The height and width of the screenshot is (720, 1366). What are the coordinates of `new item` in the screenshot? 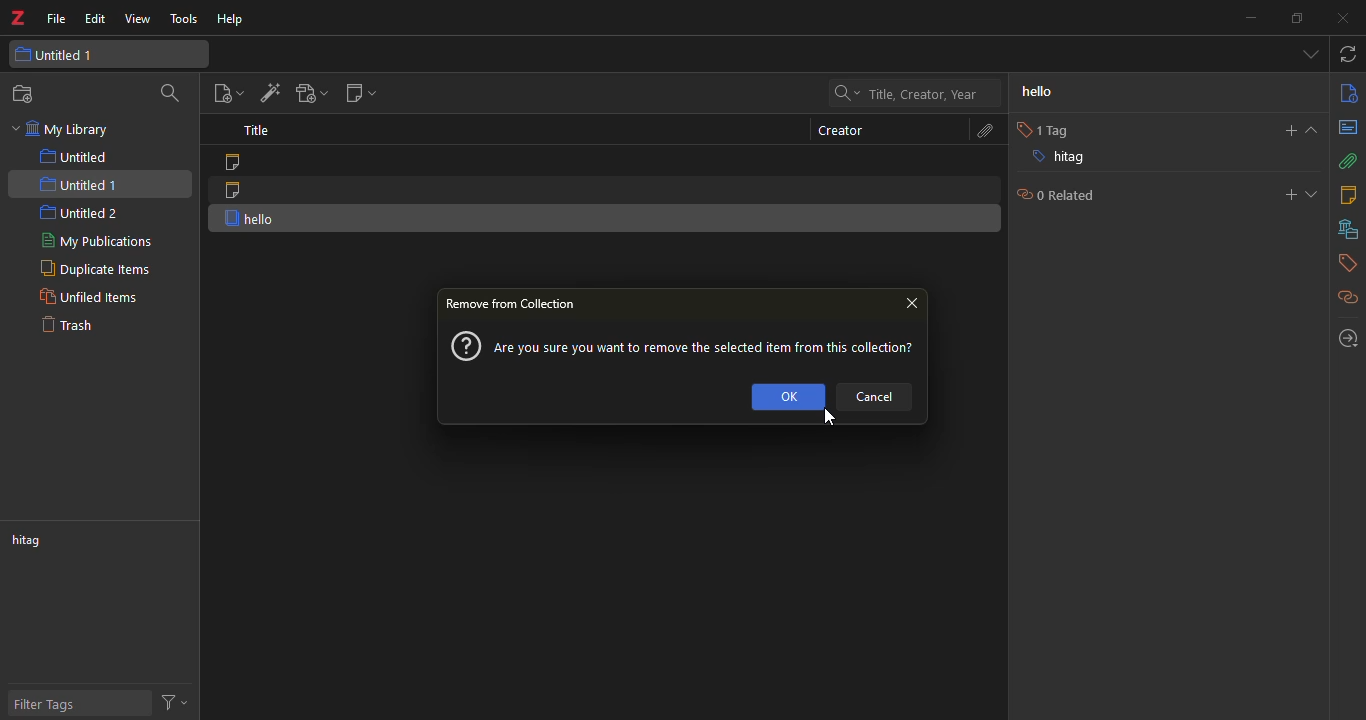 It's located at (227, 93).